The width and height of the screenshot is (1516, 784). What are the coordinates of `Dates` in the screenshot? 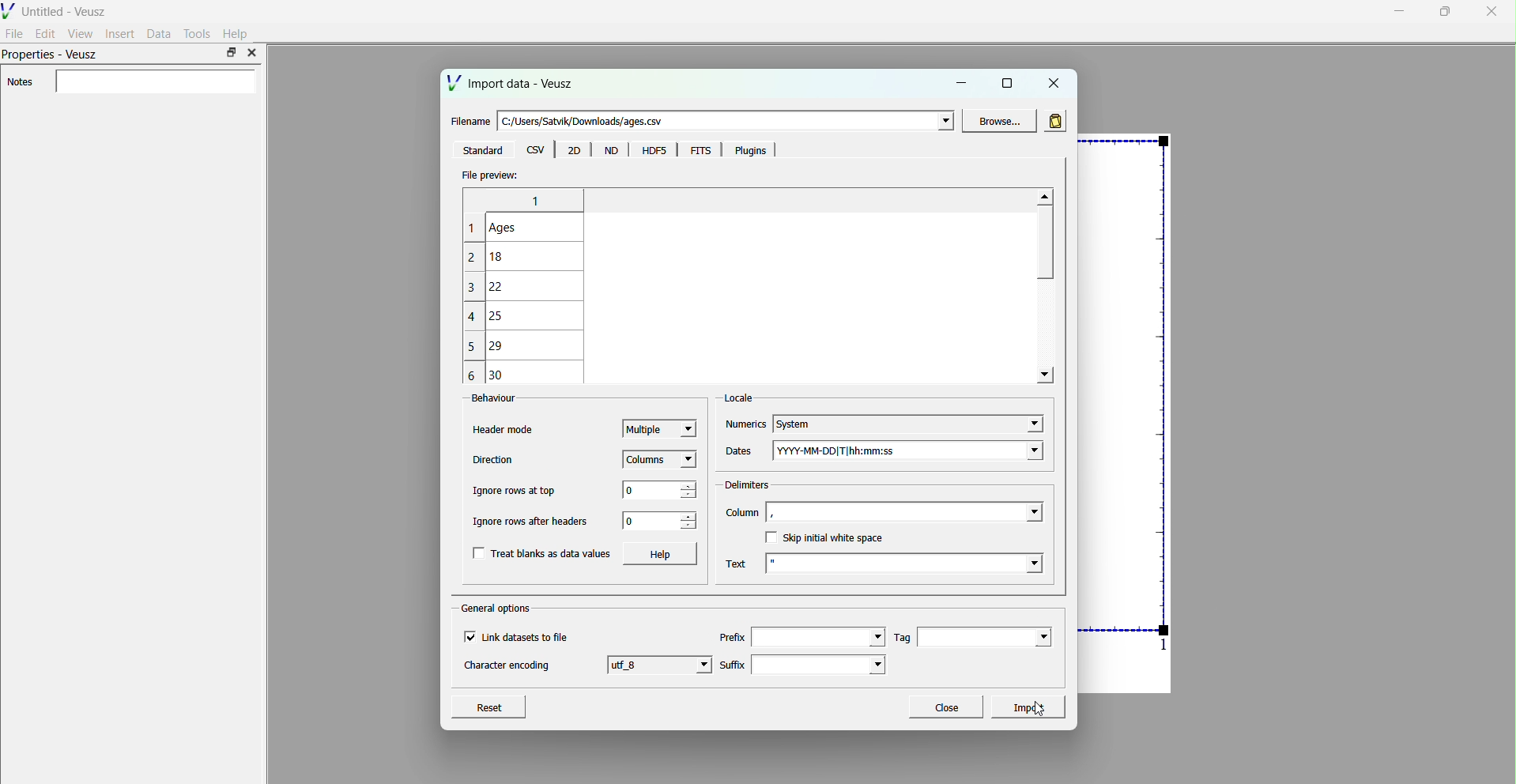 It's located at (741, 454).